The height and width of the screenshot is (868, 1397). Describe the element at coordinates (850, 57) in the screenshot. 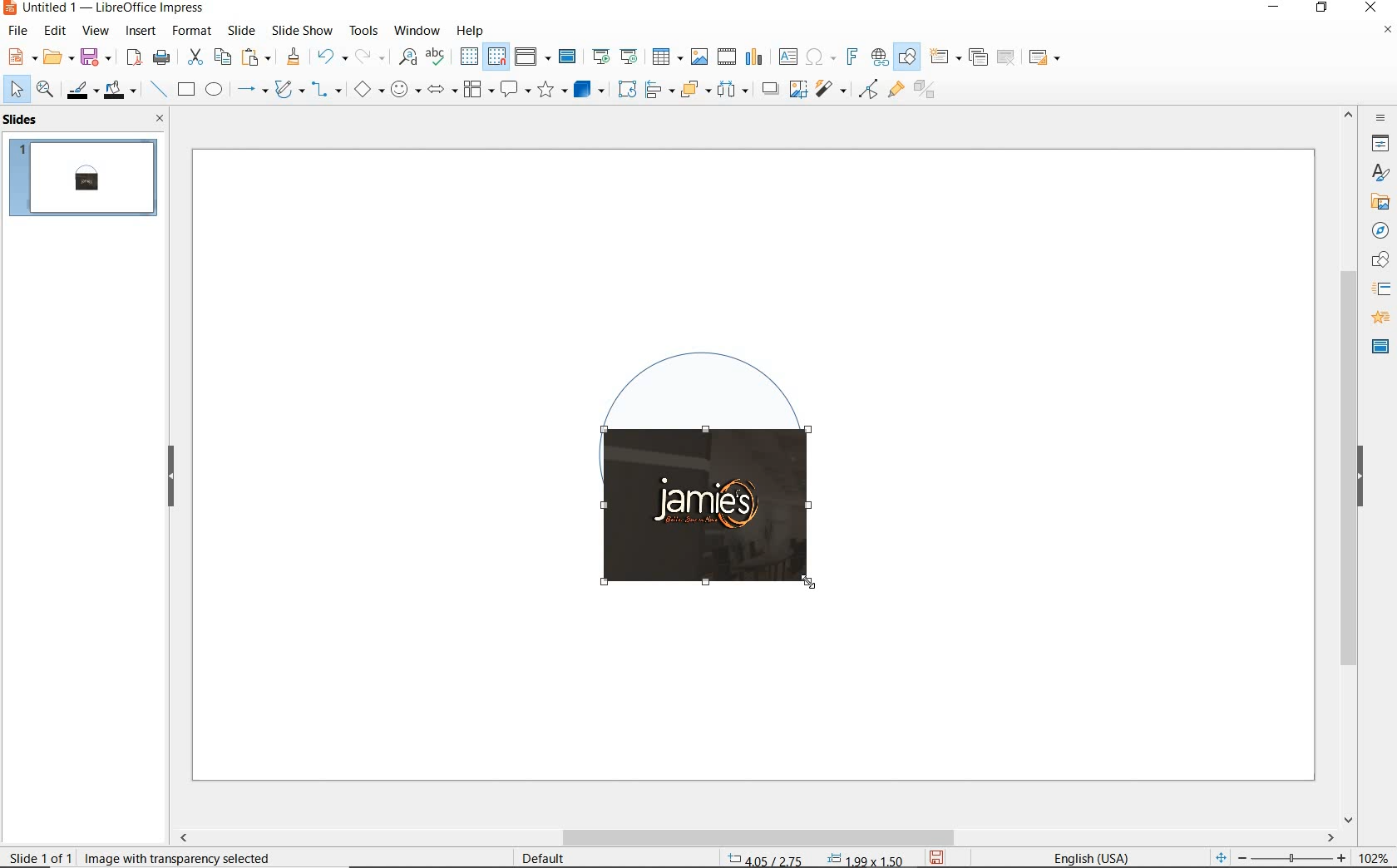

I see `insert fontwork text` at that location.